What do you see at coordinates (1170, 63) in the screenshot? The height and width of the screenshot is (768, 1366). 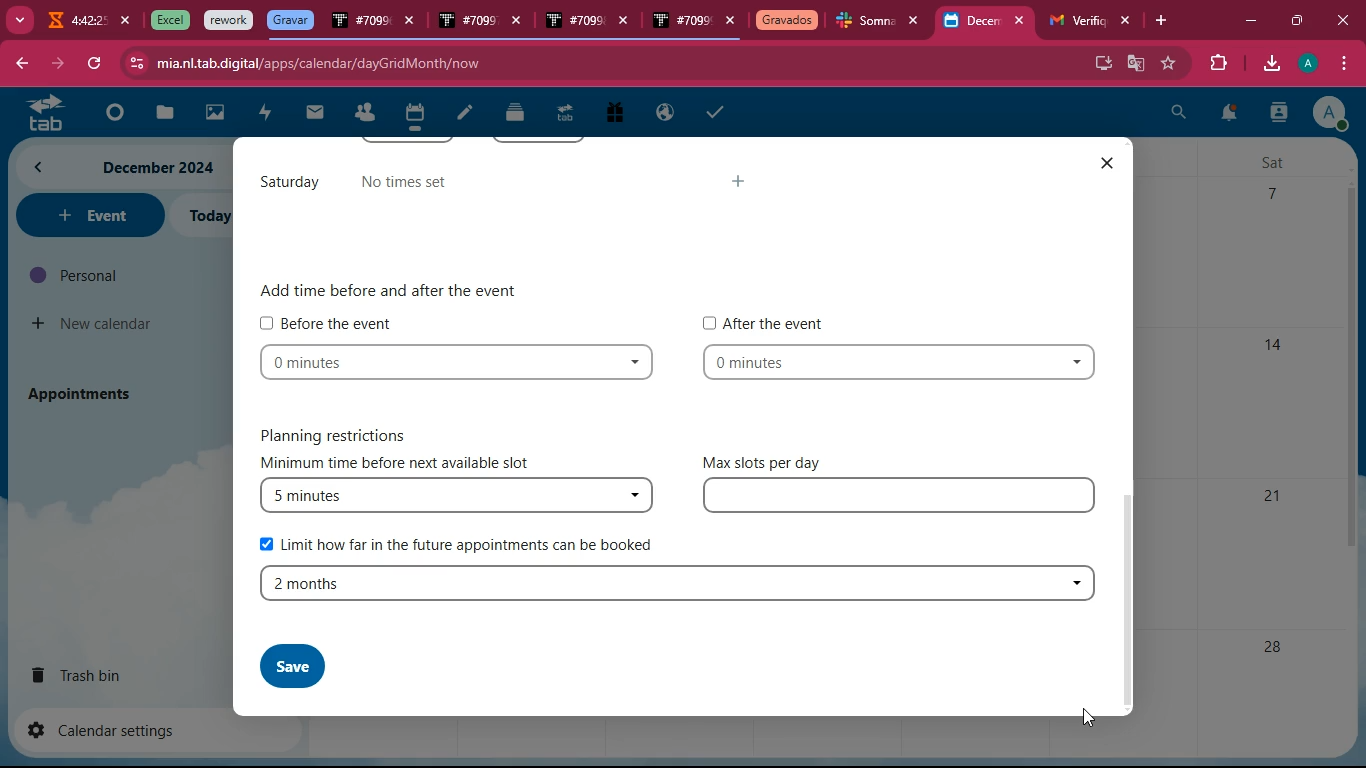 I see `favorites` at bounding box center [1170, 63].